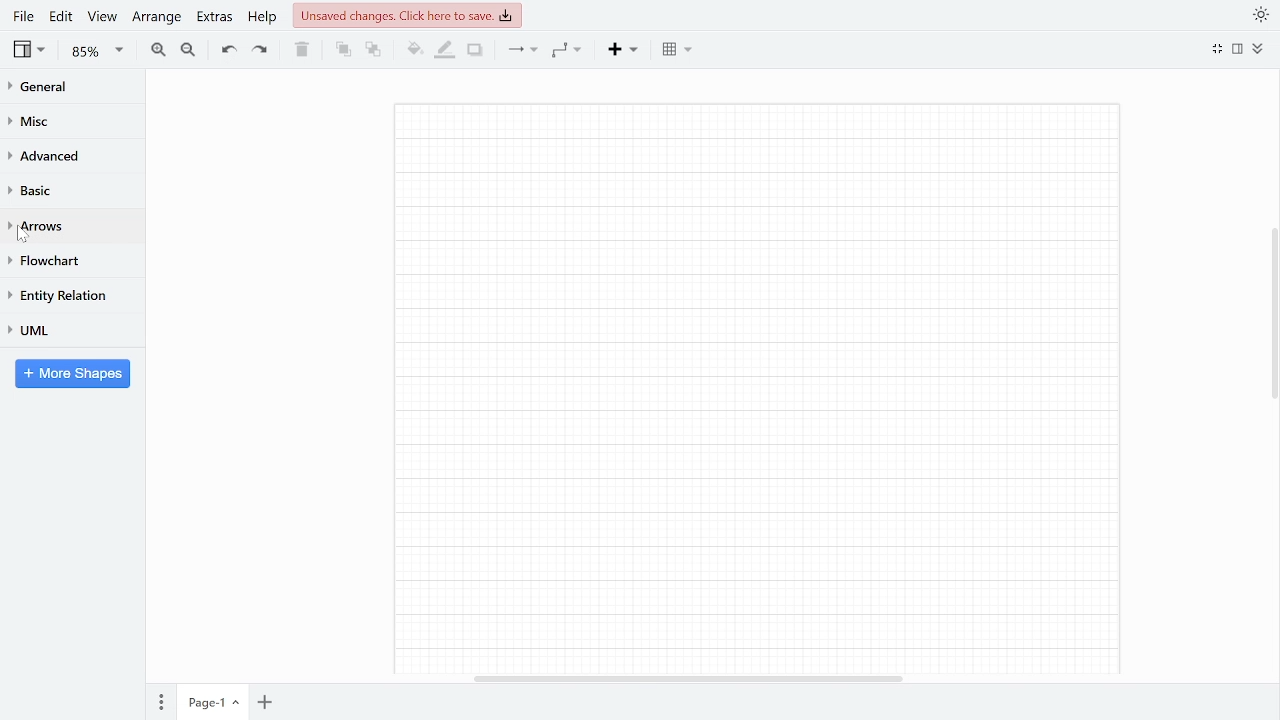 The width and height of the screenshot is (1280, 720). What do you see at coordinates (625, 50) in the screenshot?
I see `Insert` at bounding box center [625, 50].